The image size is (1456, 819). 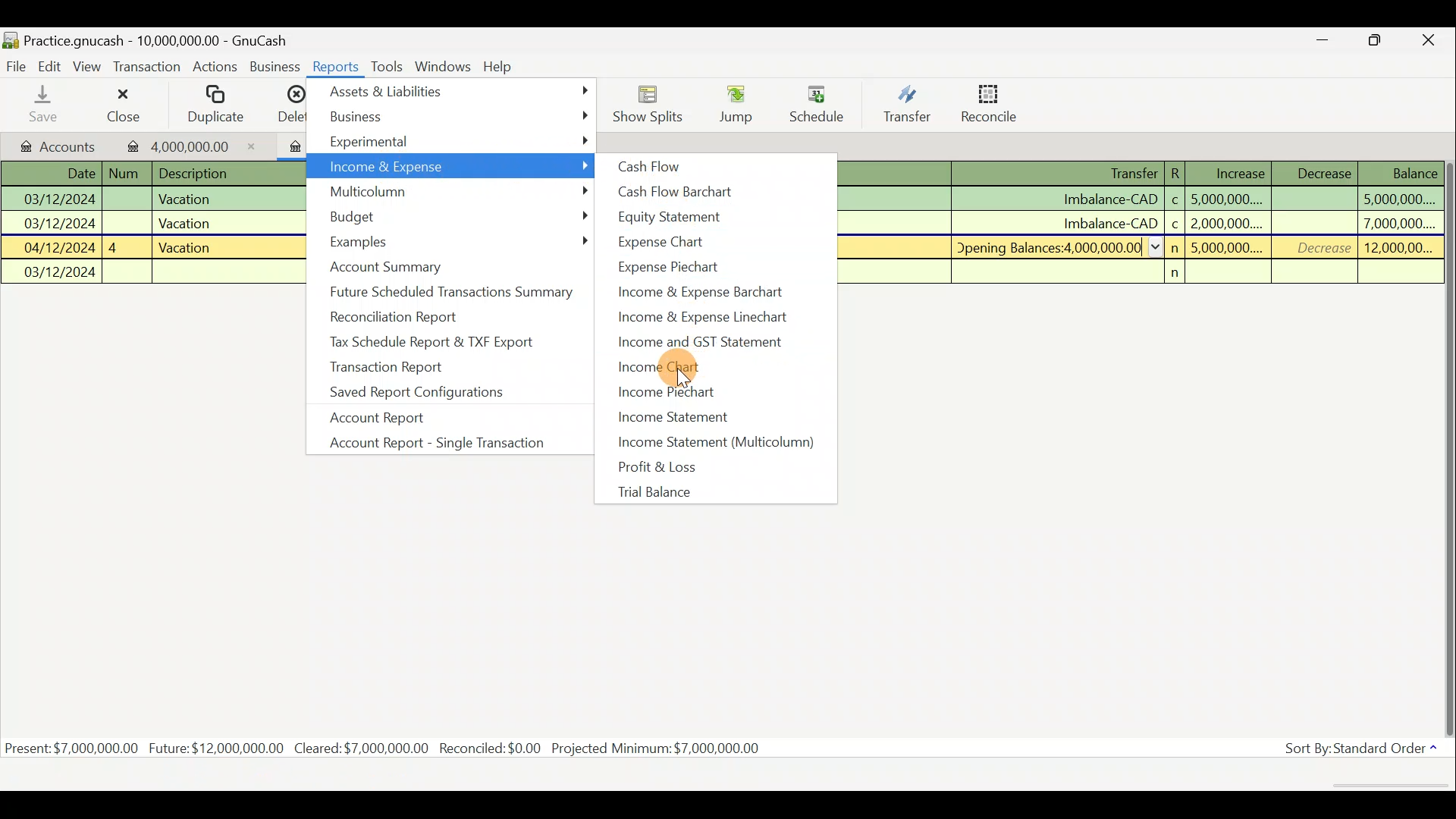 What do you see at coordinates (456, 242) in the screenshot?
I see `Examples` at bounding box center [456, 242].